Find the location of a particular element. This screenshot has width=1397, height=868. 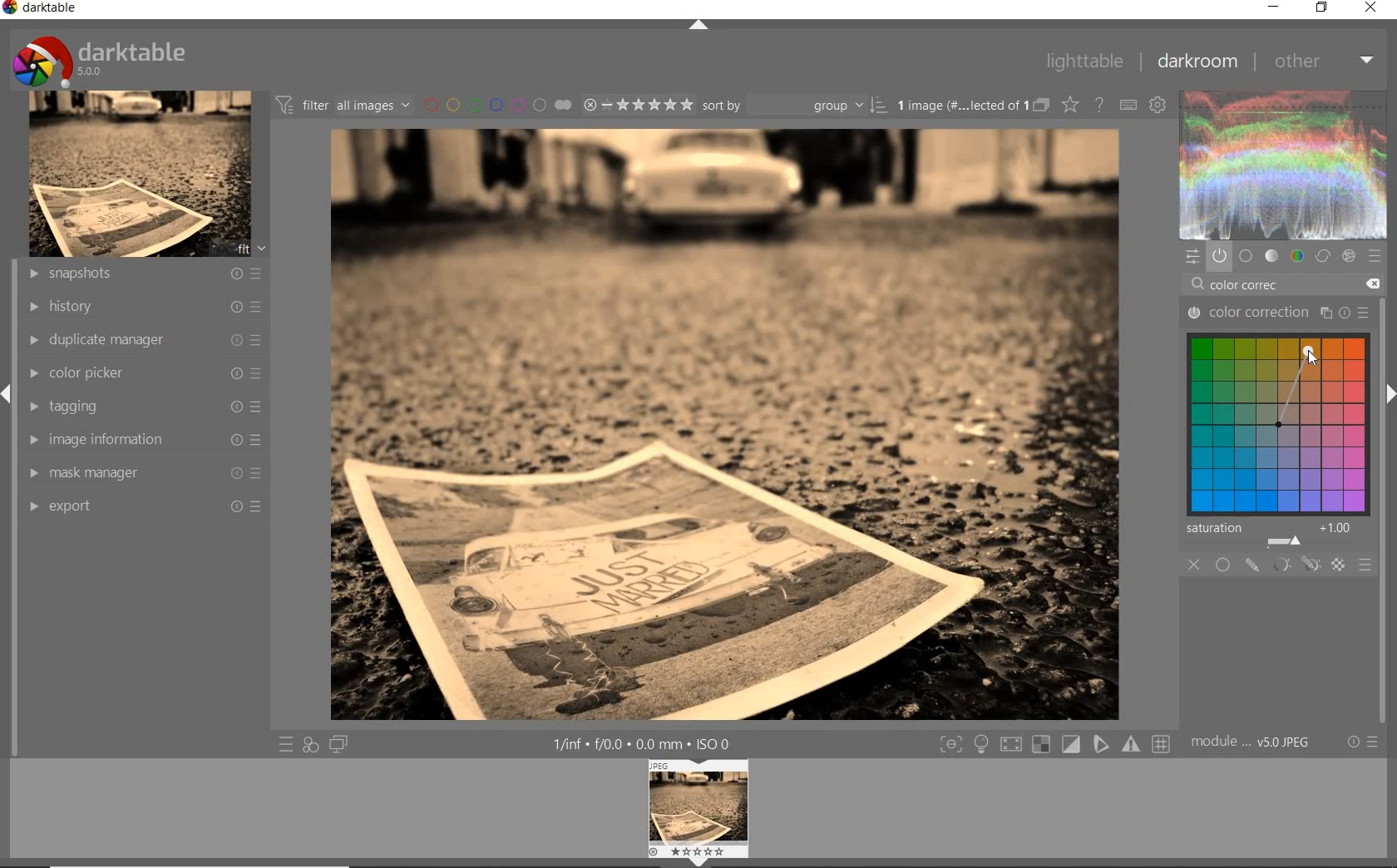

expand/collapse is located at coordinates (698, 27).